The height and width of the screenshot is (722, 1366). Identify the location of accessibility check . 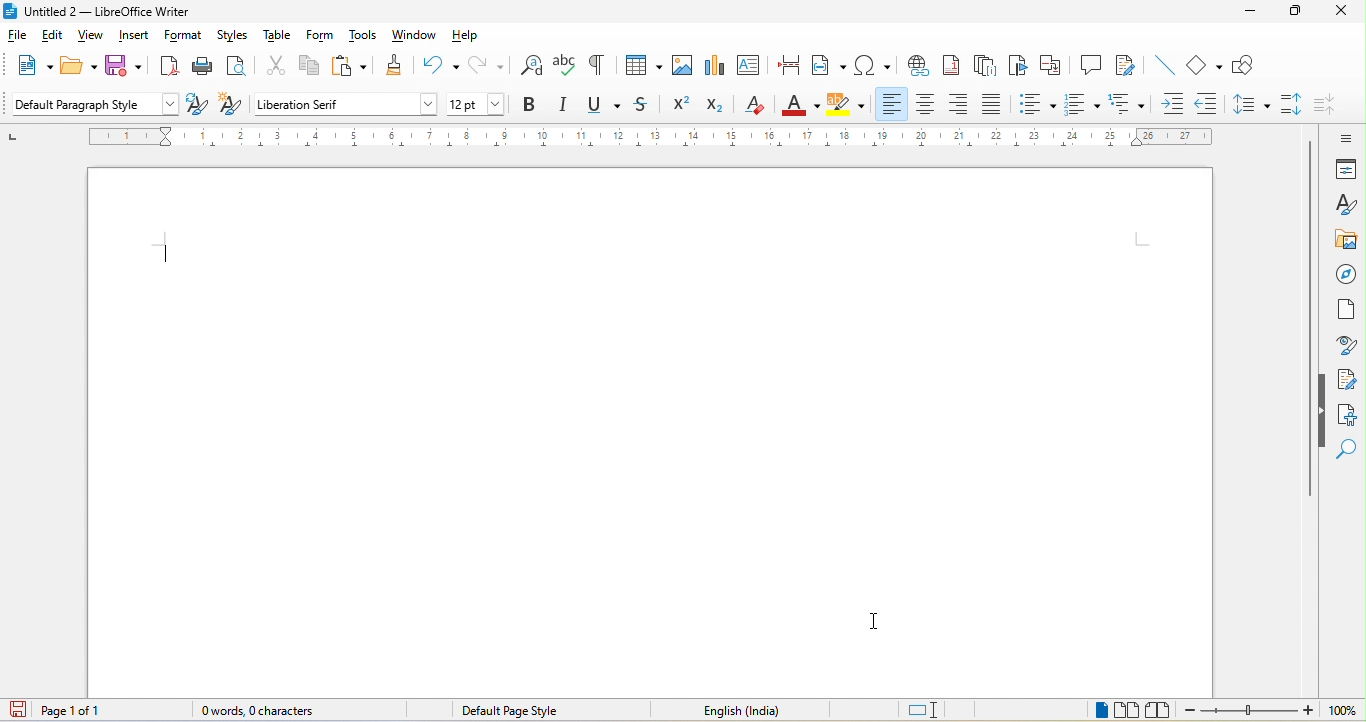
(1349, 416).